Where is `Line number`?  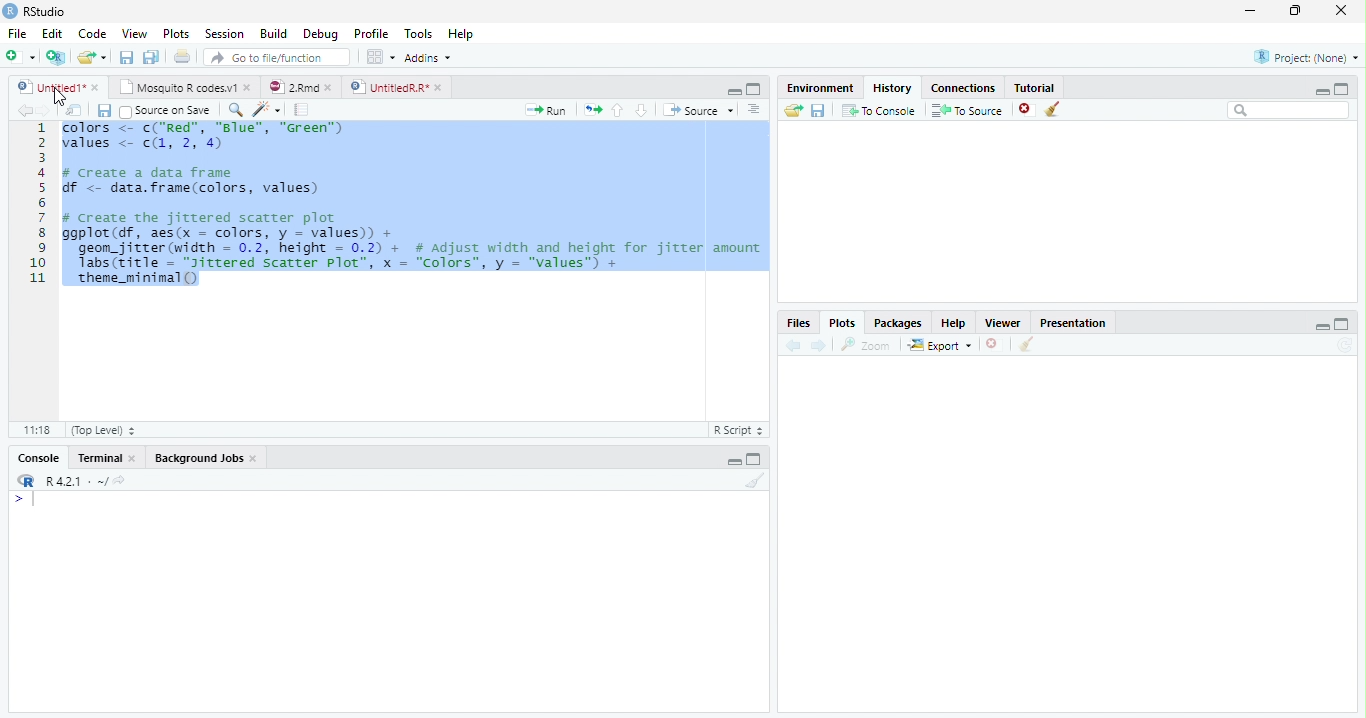
Line number is located at coordinates (38, 204).